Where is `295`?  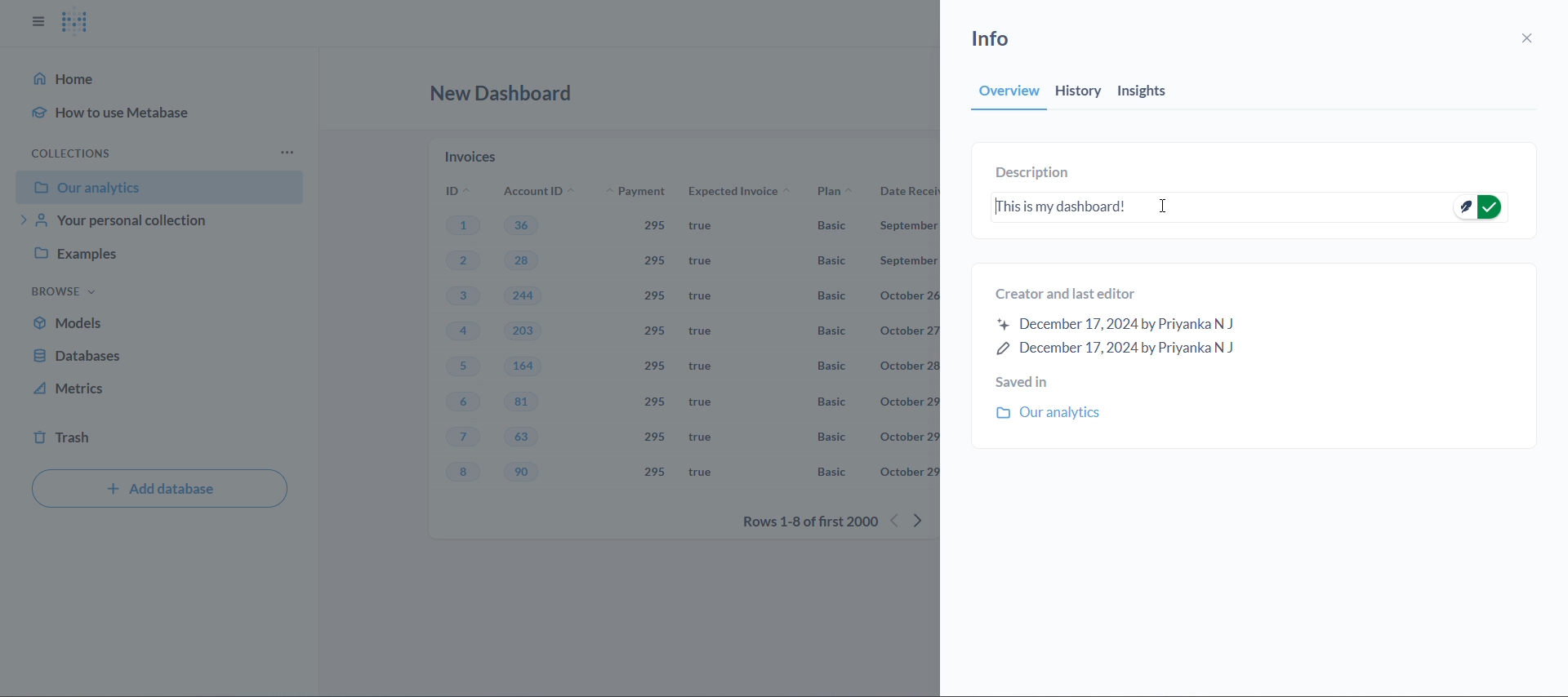
295 is located at coordinates (656, 295).